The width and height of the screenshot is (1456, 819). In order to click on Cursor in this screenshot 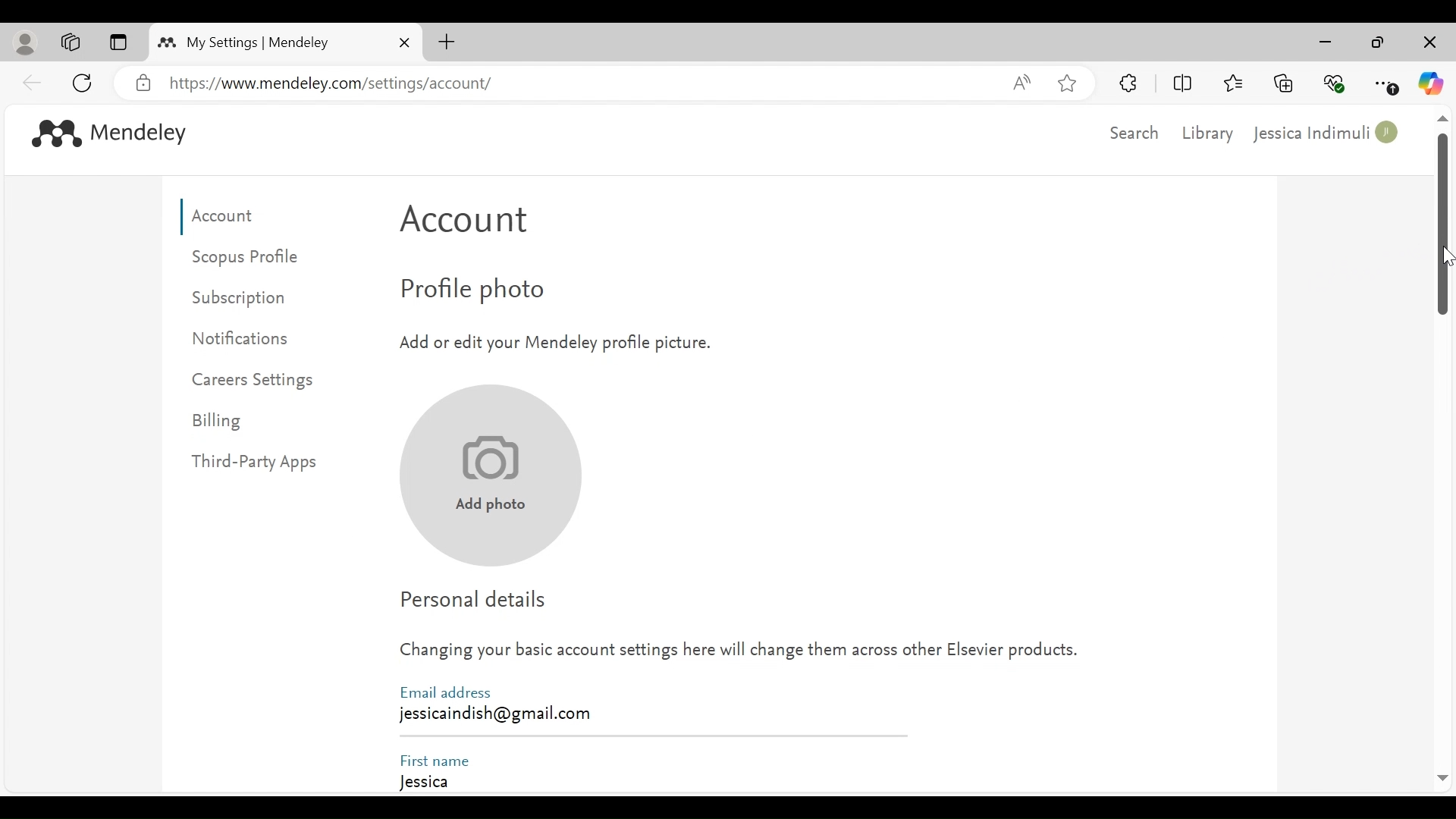, I will do `click(1446, 256)`.